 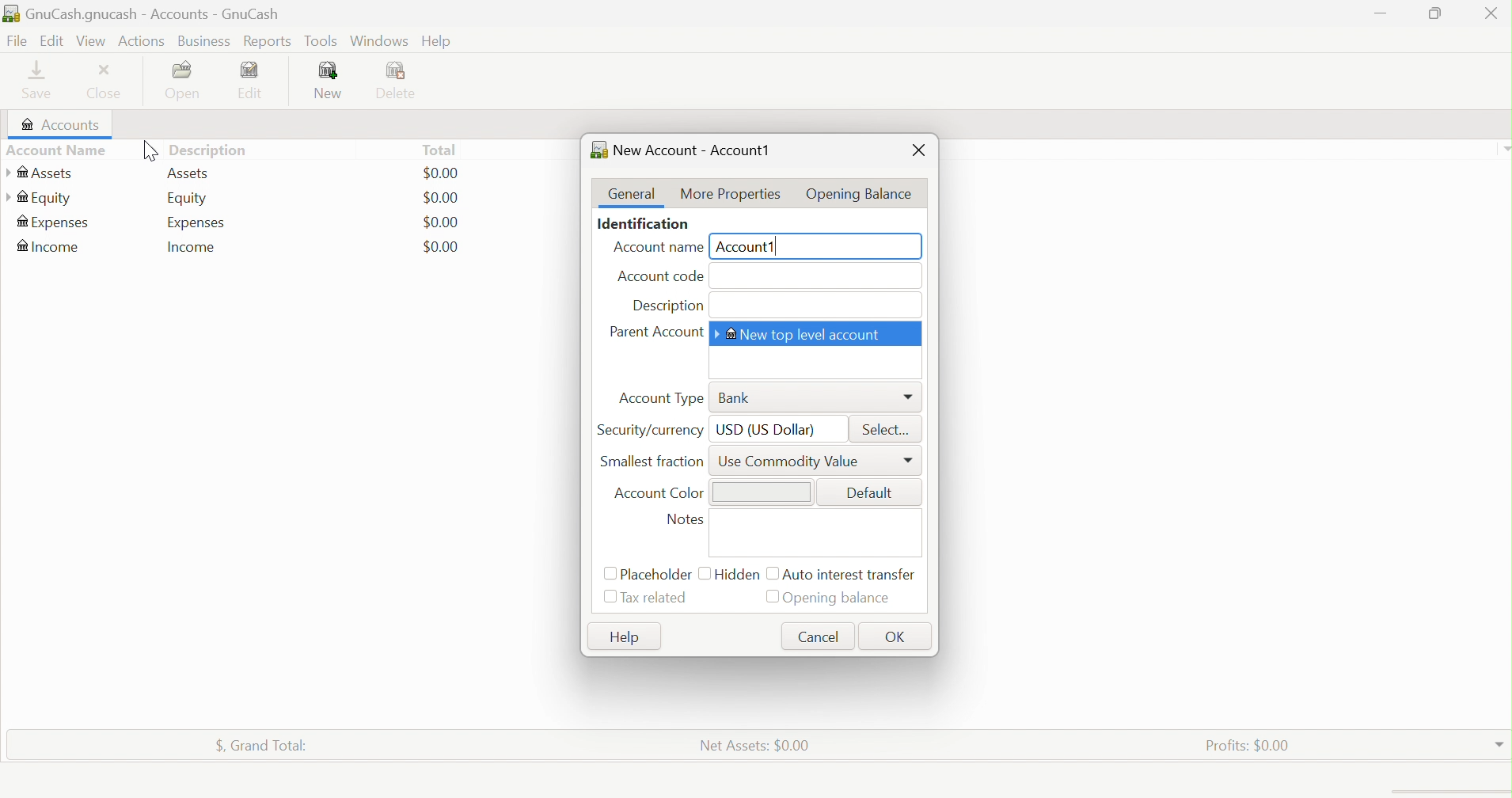 What do you see at coordinates (91, 41) in the screenshot?
I see `View` at bounding box center [91, 41].